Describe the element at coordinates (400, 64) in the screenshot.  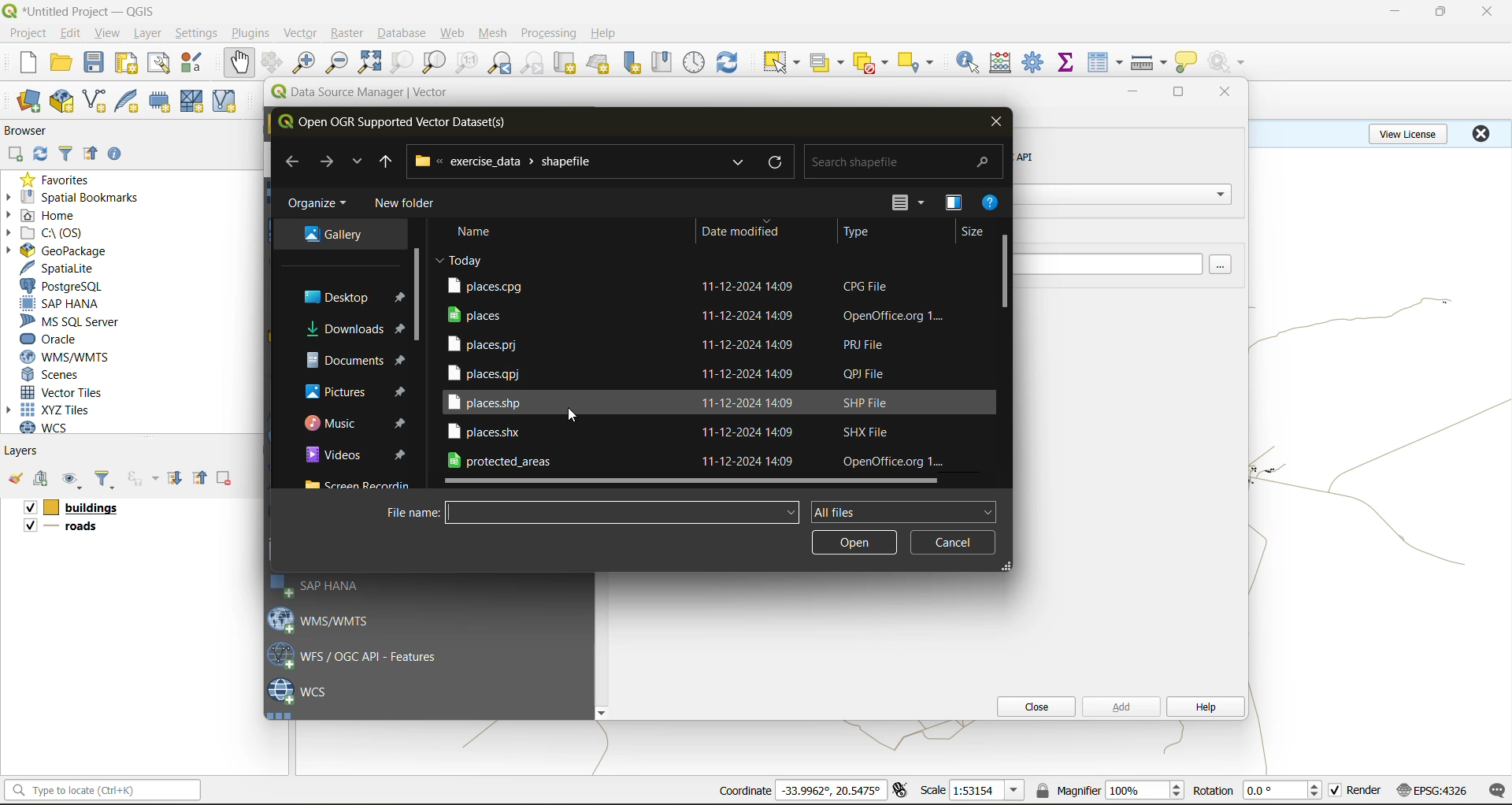
I see `zoom selection` at that location.